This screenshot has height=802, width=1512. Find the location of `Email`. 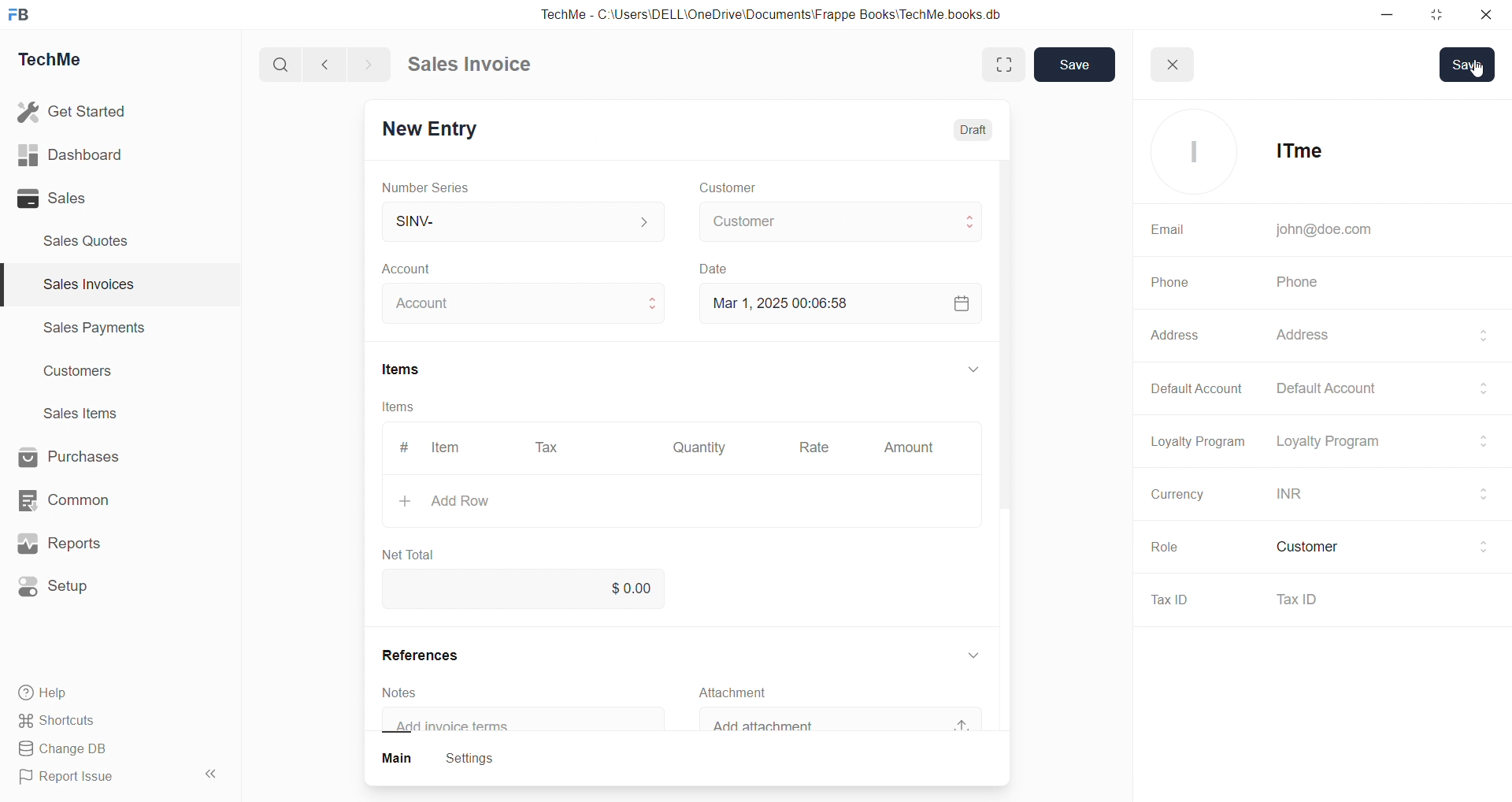

Email is located at coordinates (1162, 228).